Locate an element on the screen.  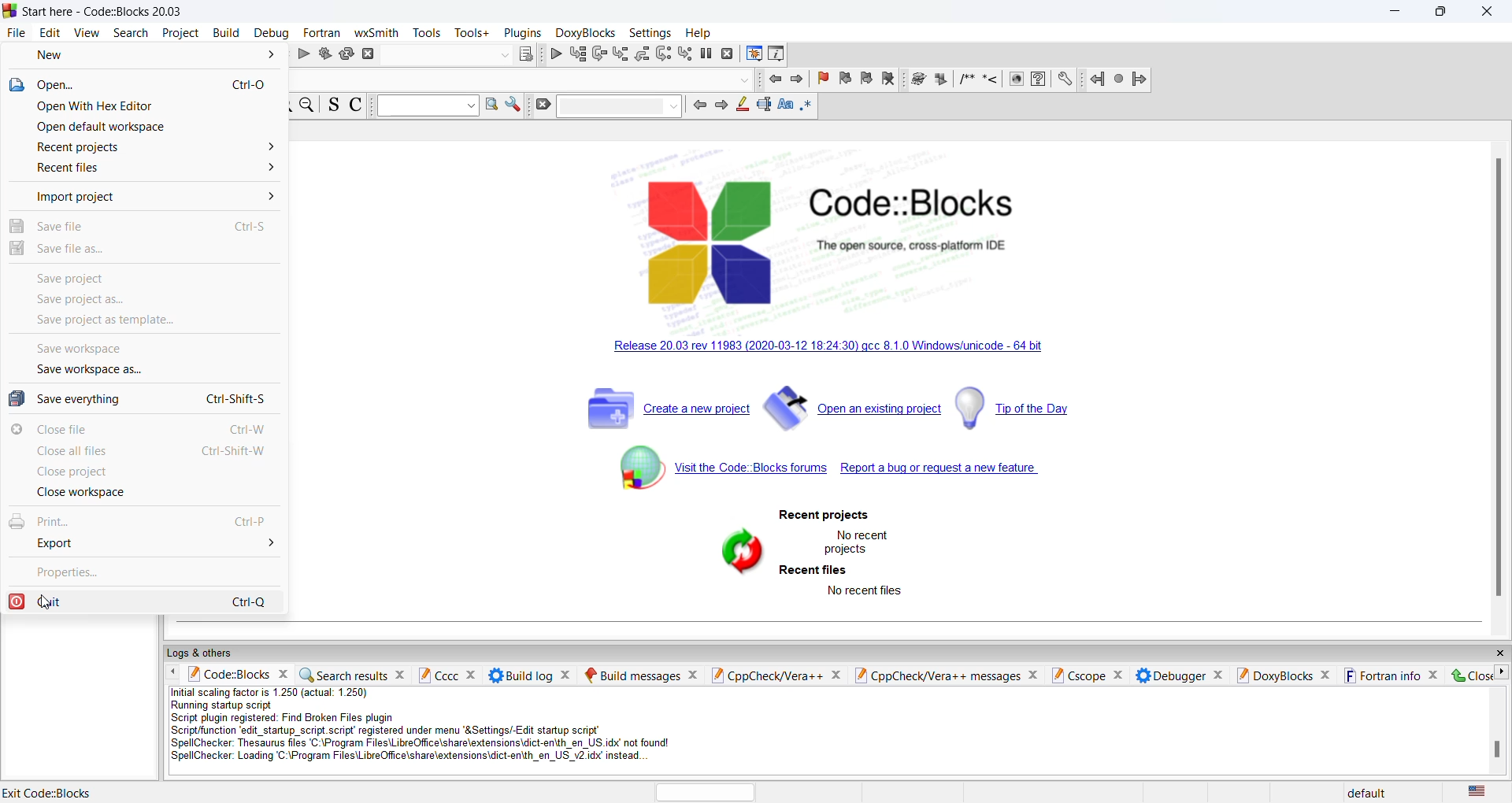
next jump is located at coordinates (1116, 80).